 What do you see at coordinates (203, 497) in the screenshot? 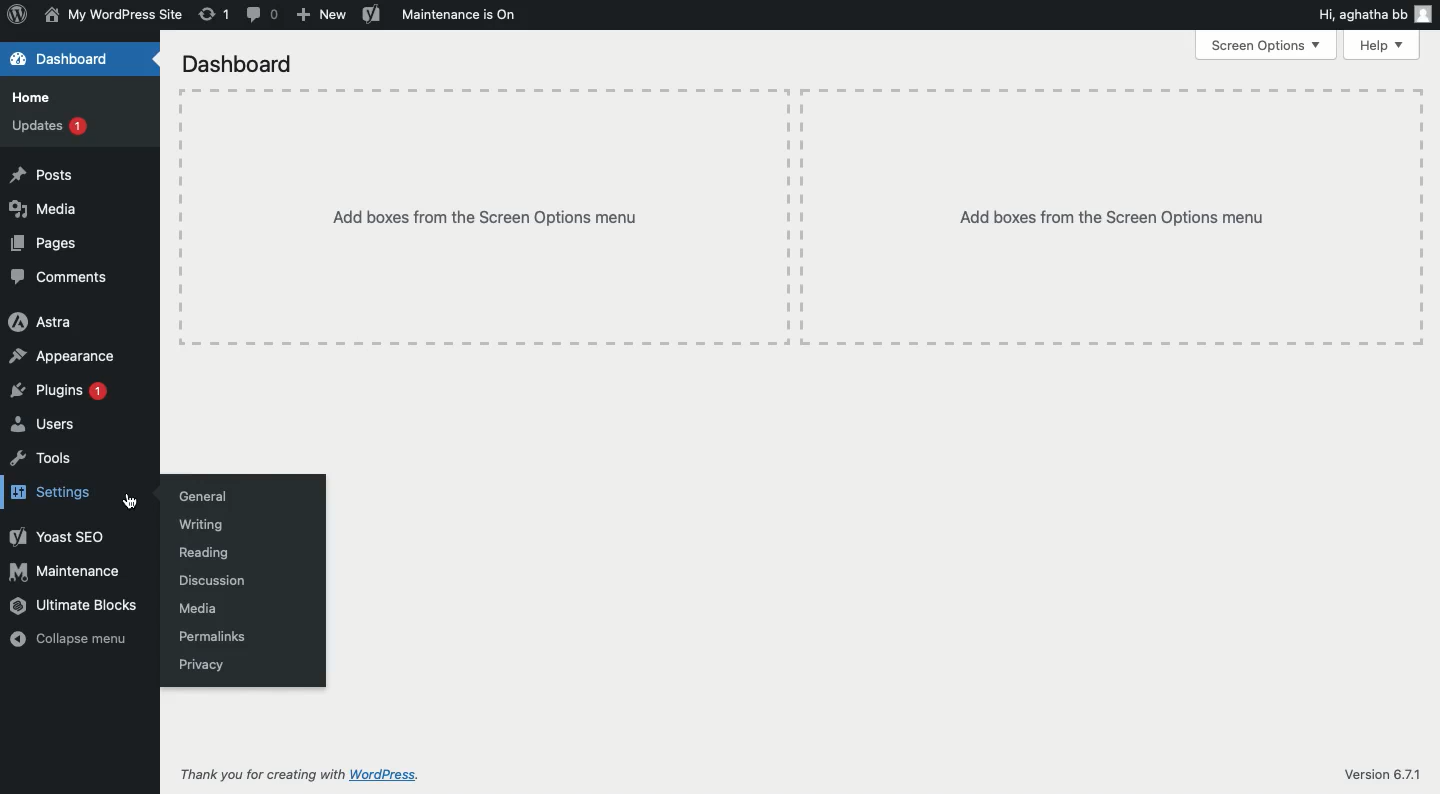
I see `General` at bounding box center [203, 497].